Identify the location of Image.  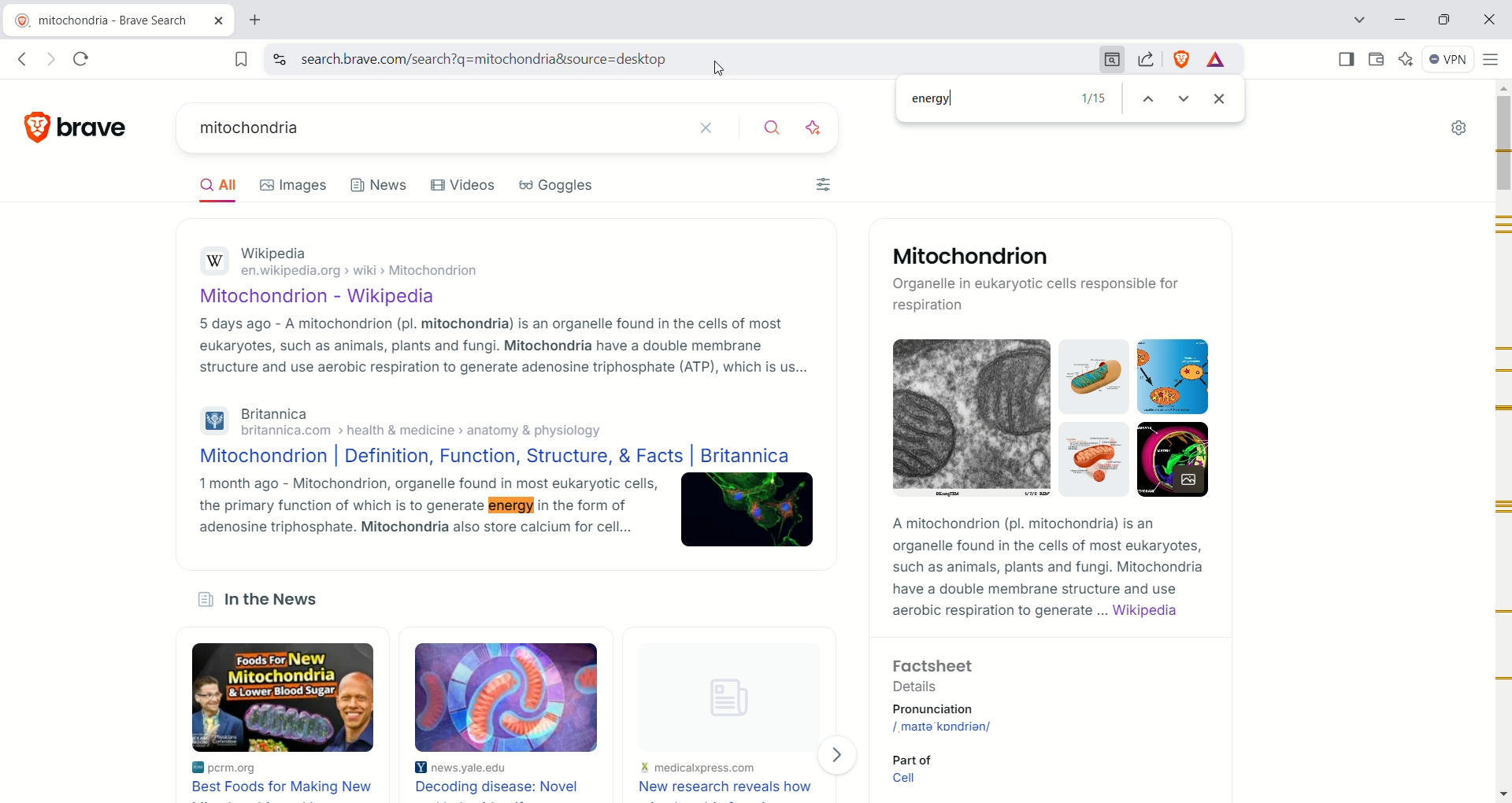
(505, 694).